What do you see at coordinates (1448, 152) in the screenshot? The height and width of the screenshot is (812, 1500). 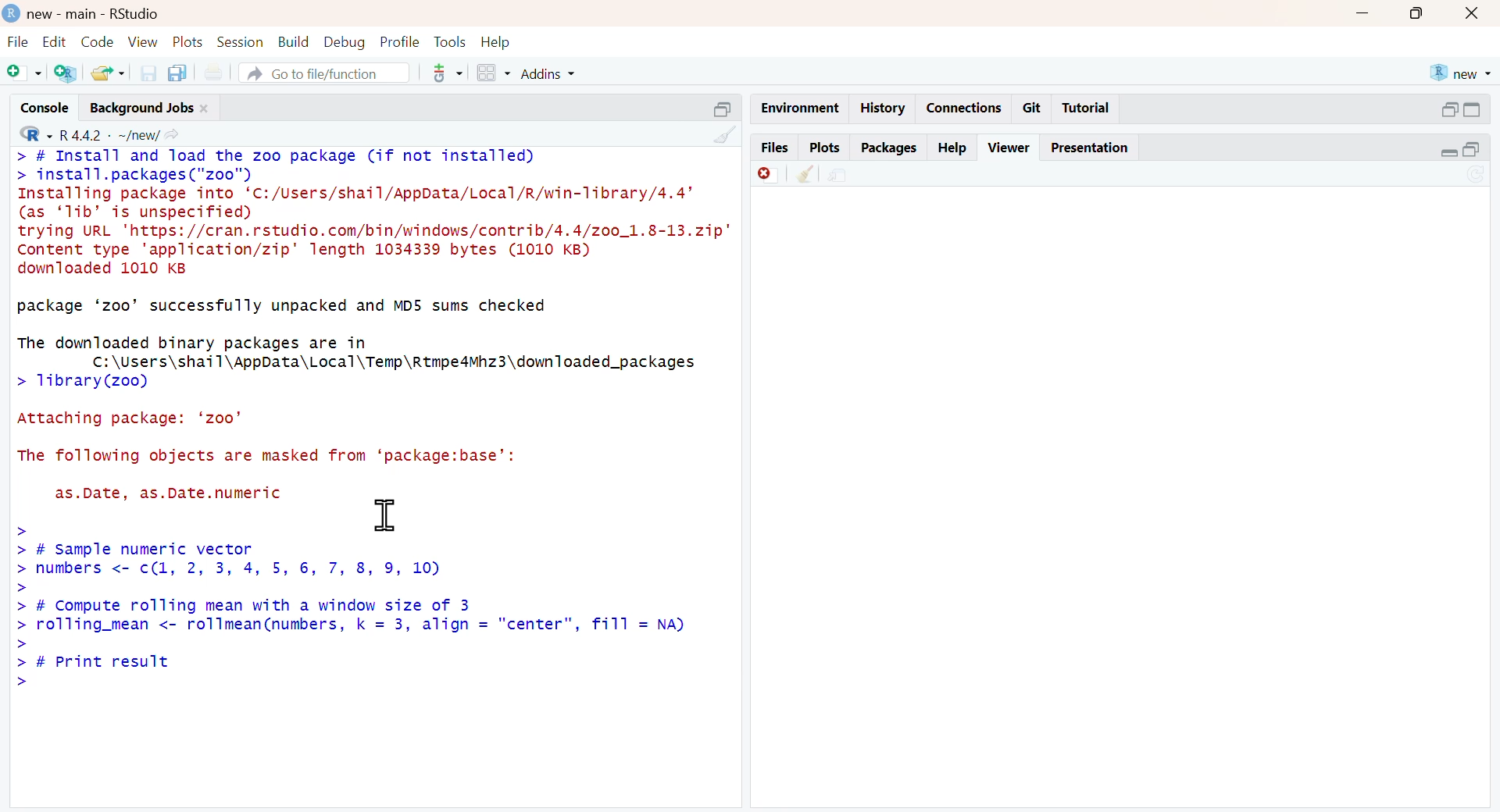 I see `Collapse/expand ` at bounding box center [1448, 152].